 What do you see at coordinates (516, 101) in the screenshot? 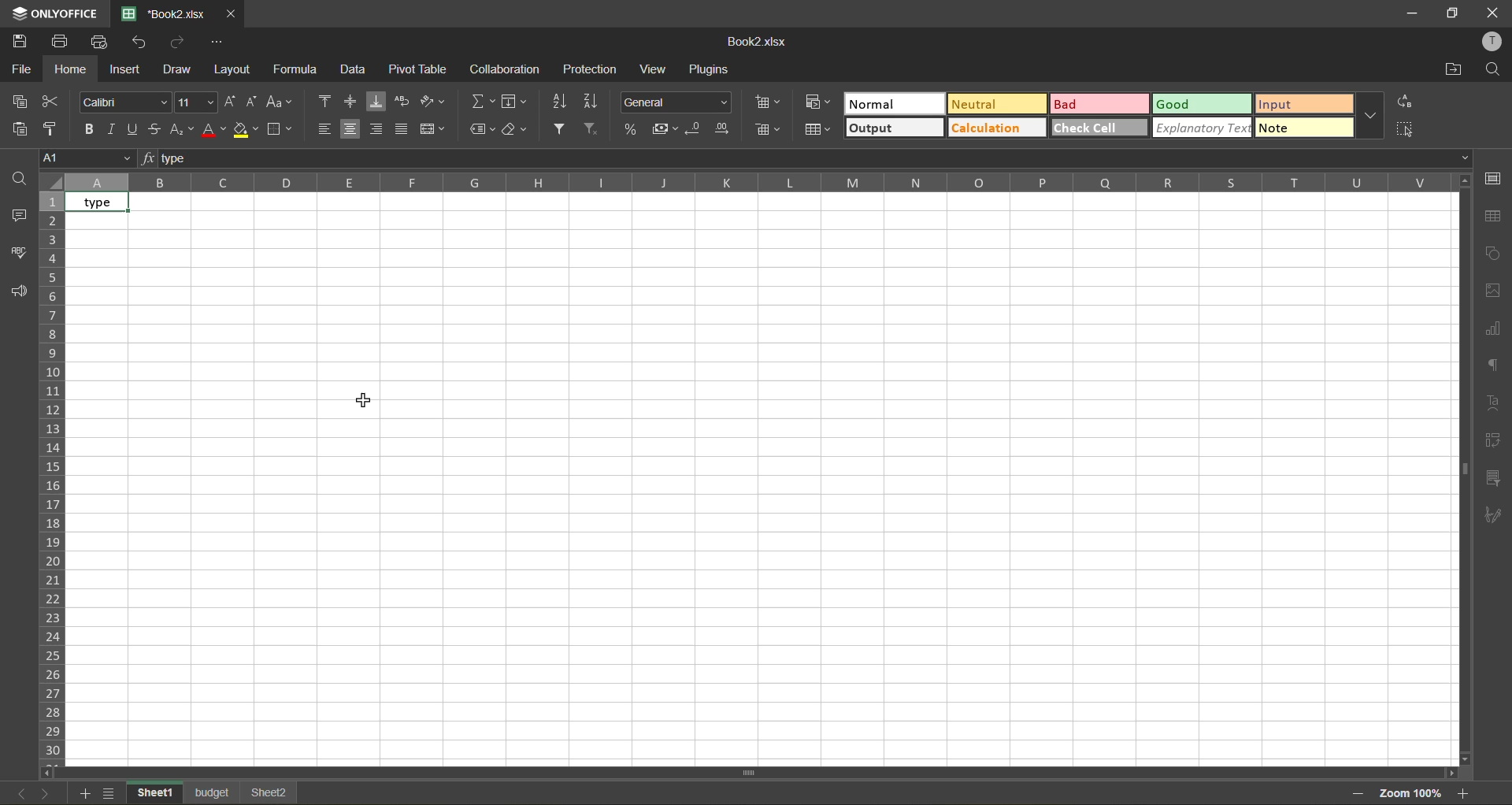
I see `fields` at bounding box center [516, 101].